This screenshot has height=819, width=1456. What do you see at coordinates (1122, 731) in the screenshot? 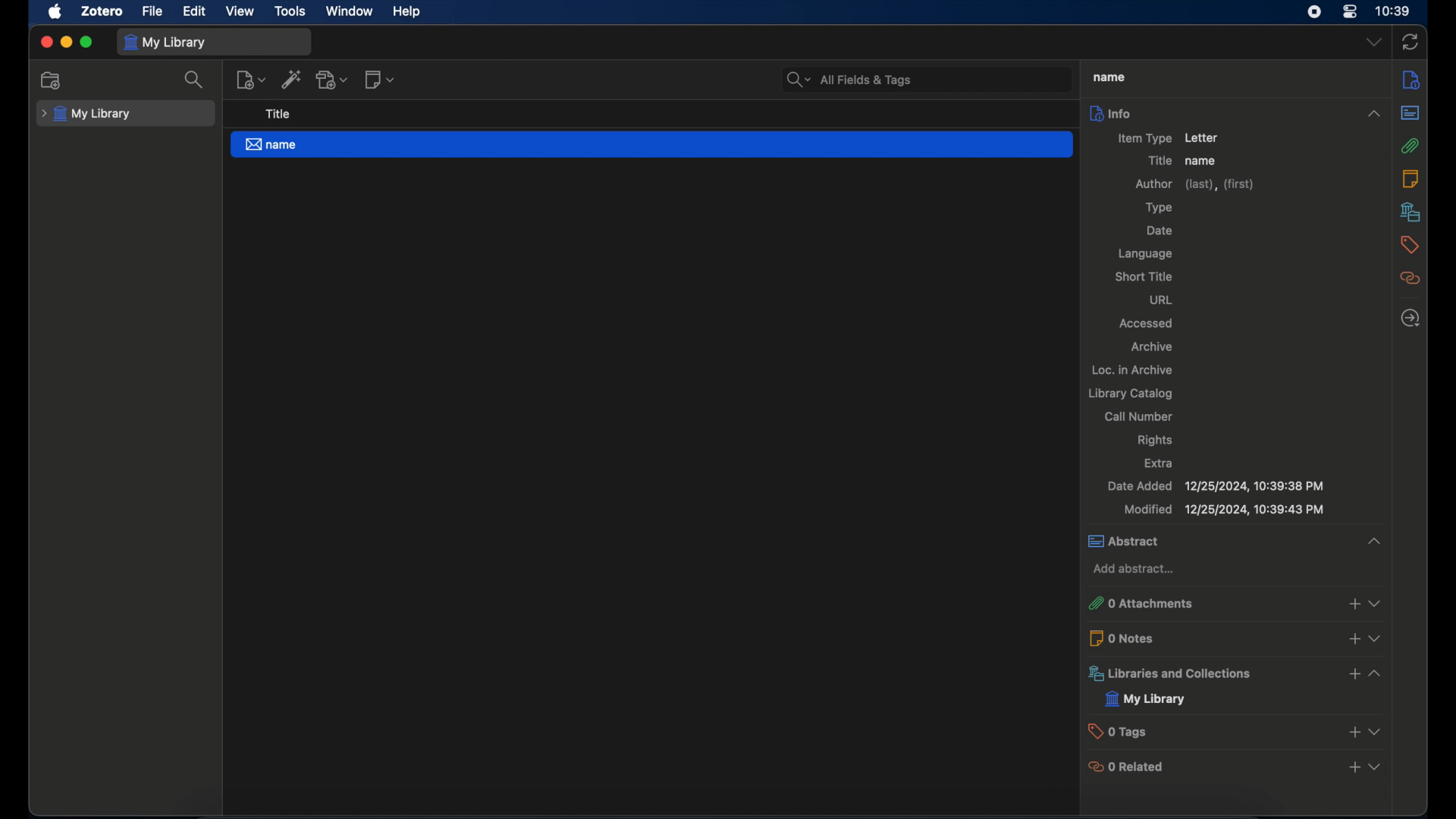
I see `0 tags` at bounding box center [1122, 731].